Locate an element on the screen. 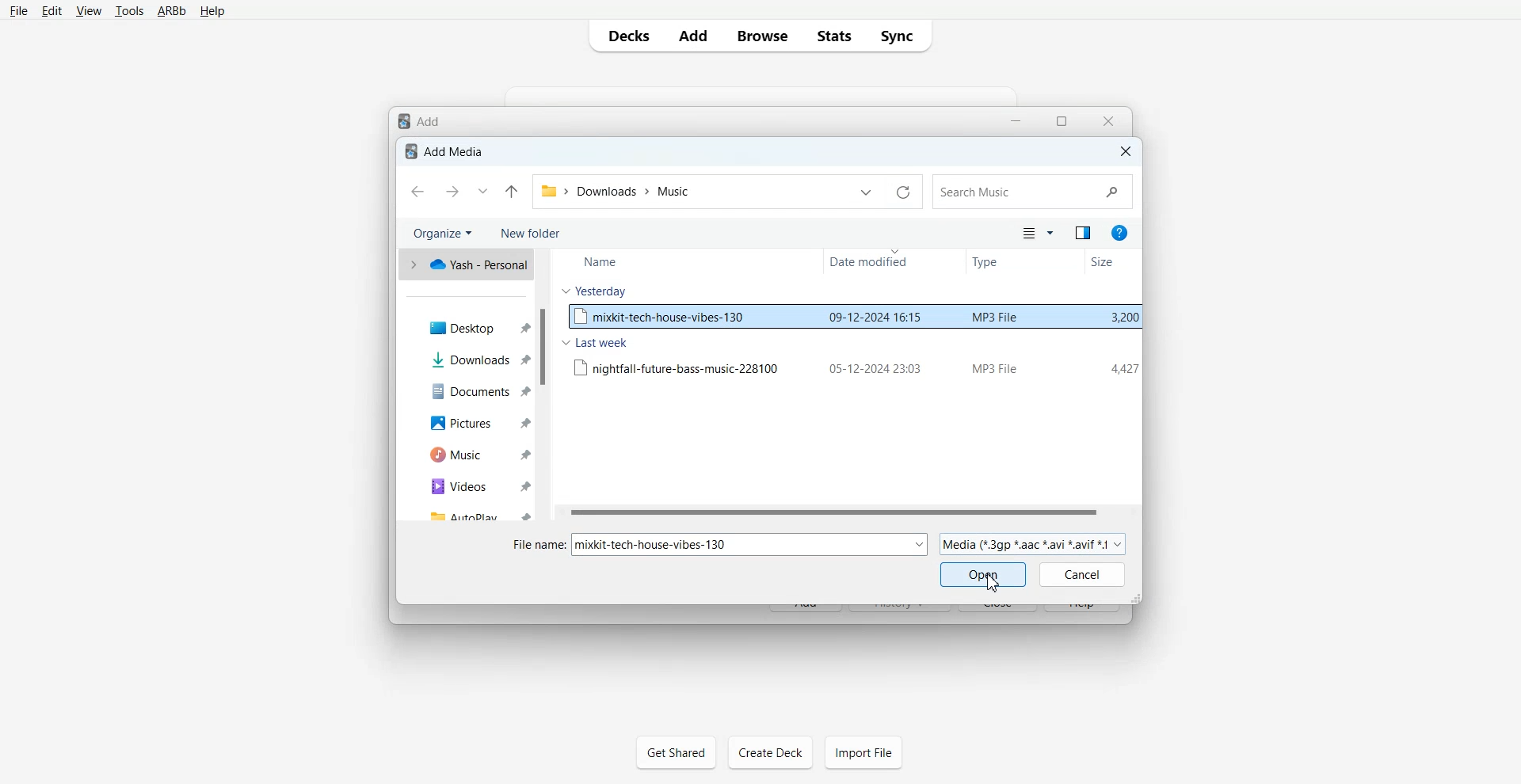 The width and height of the screenshot is (1521, 784). View is located at coordinates (87, 10).